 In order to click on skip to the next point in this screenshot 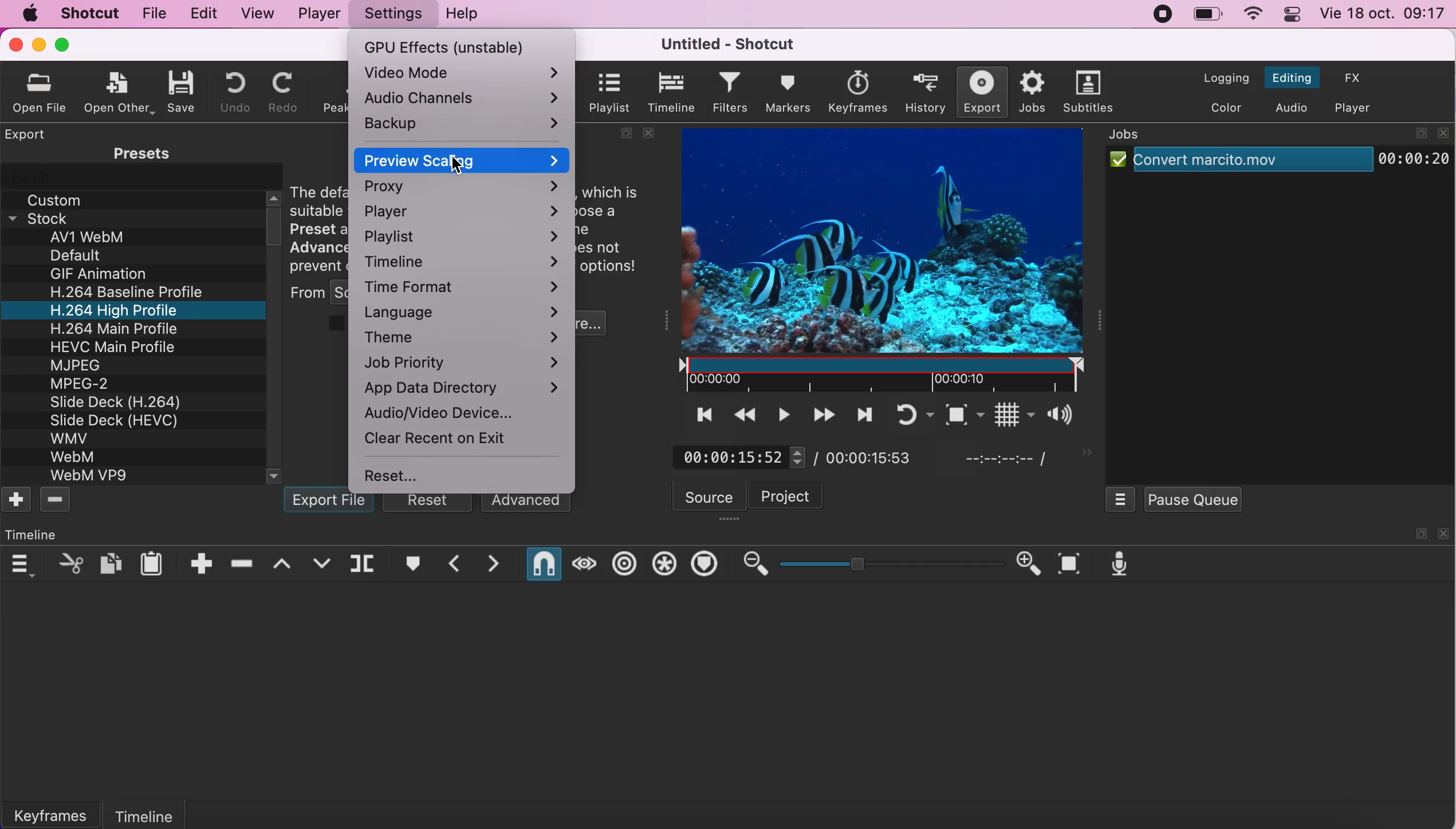, I will do `click(862, 414)`.